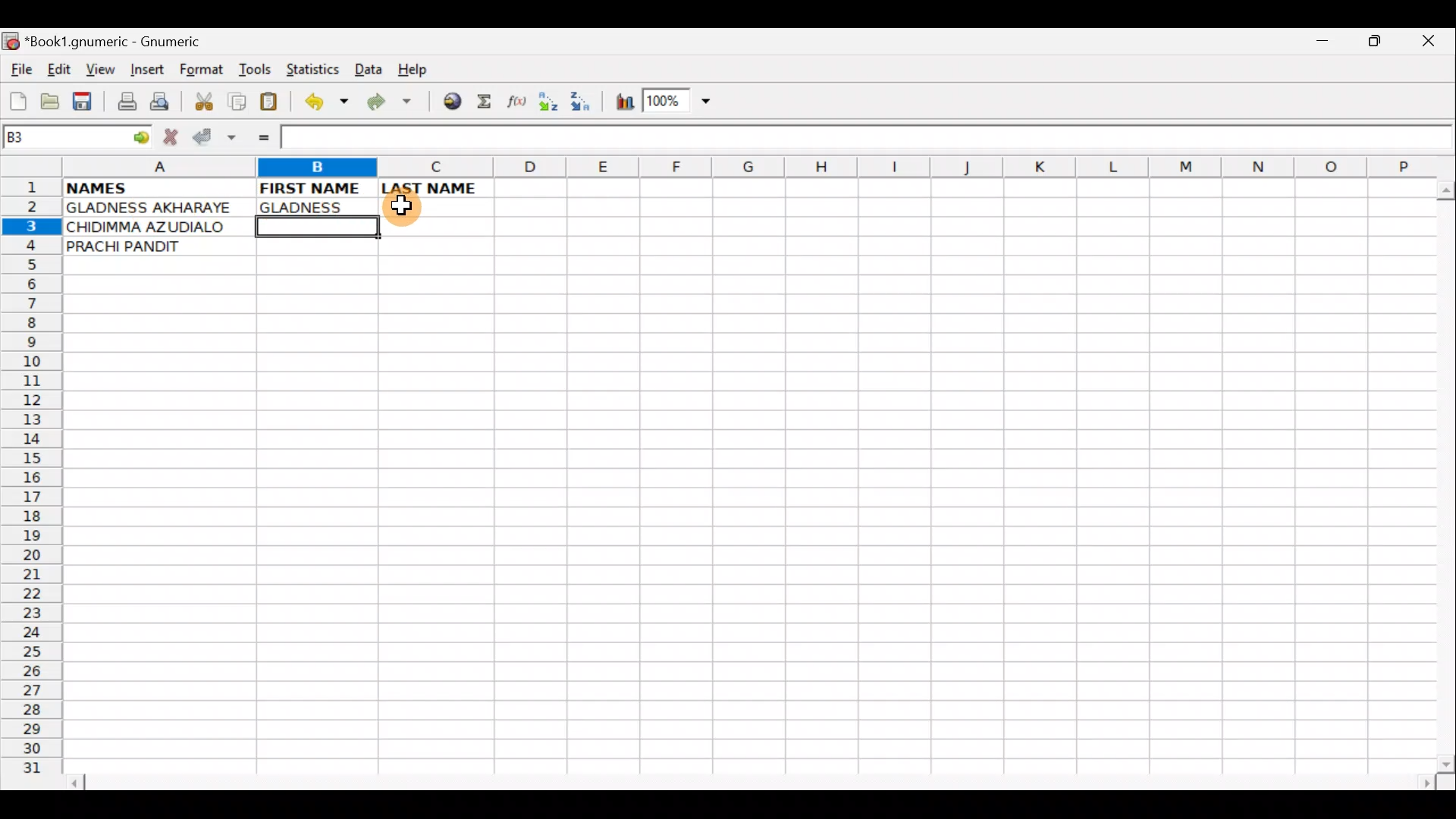 The height and width of the screenshot is (819, 1456). I want to click on Sort Descending order, so click(585, 105).